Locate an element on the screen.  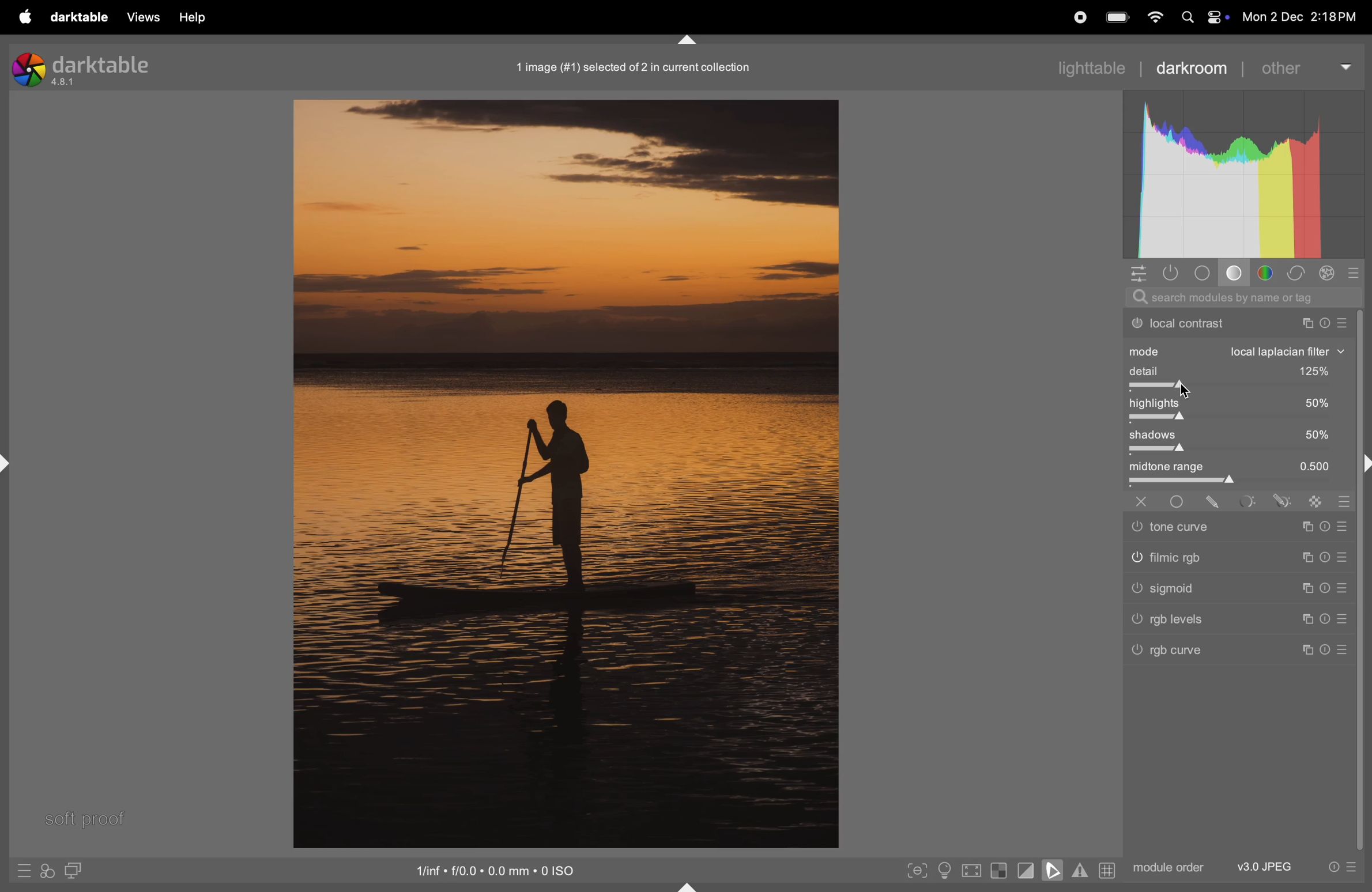
sign  is located at coordinates (1344, 587).